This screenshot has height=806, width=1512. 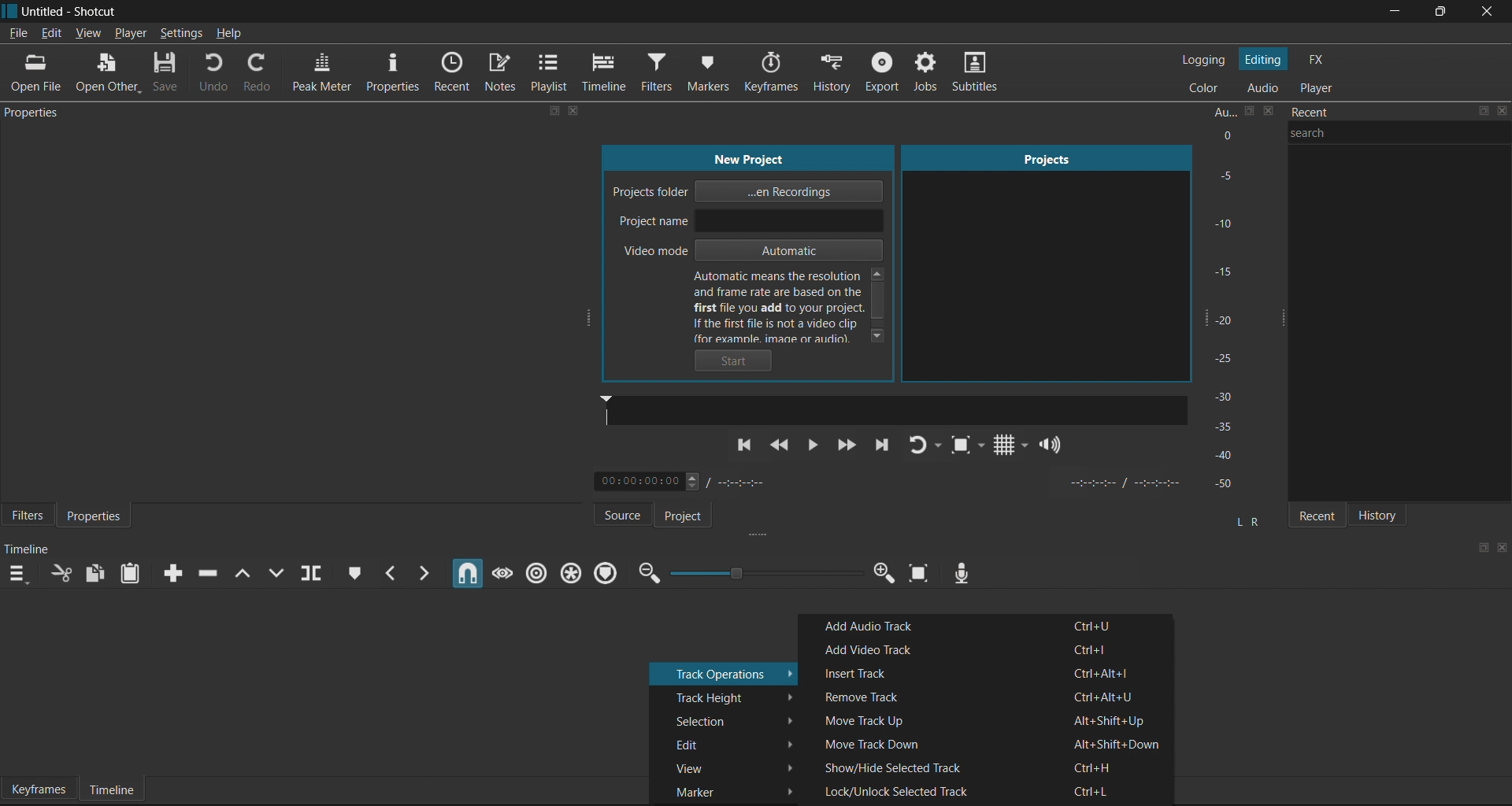 I want to click on Player, so click(x=1320, y=87).